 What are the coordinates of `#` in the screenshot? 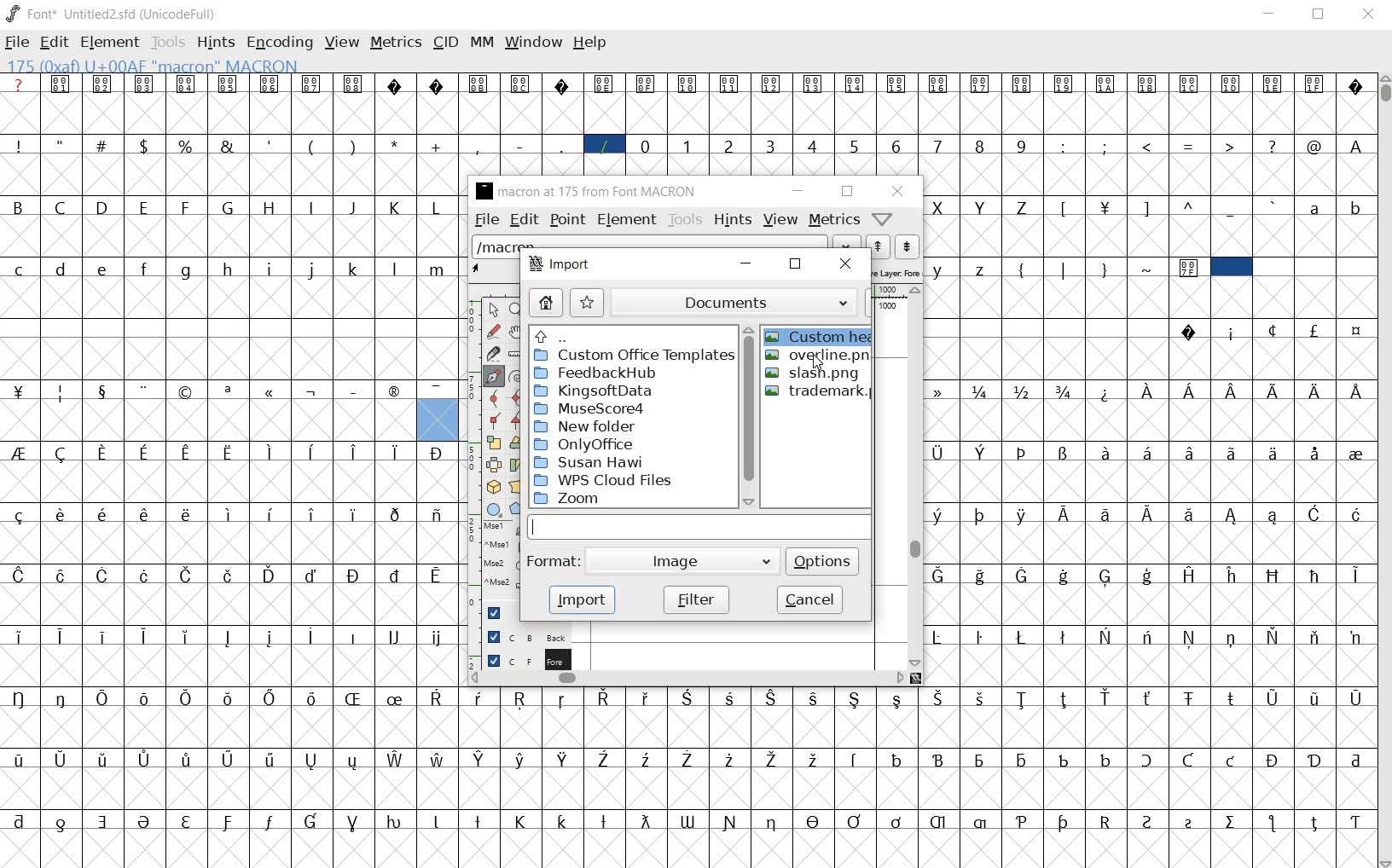 It's located at (104, 145).